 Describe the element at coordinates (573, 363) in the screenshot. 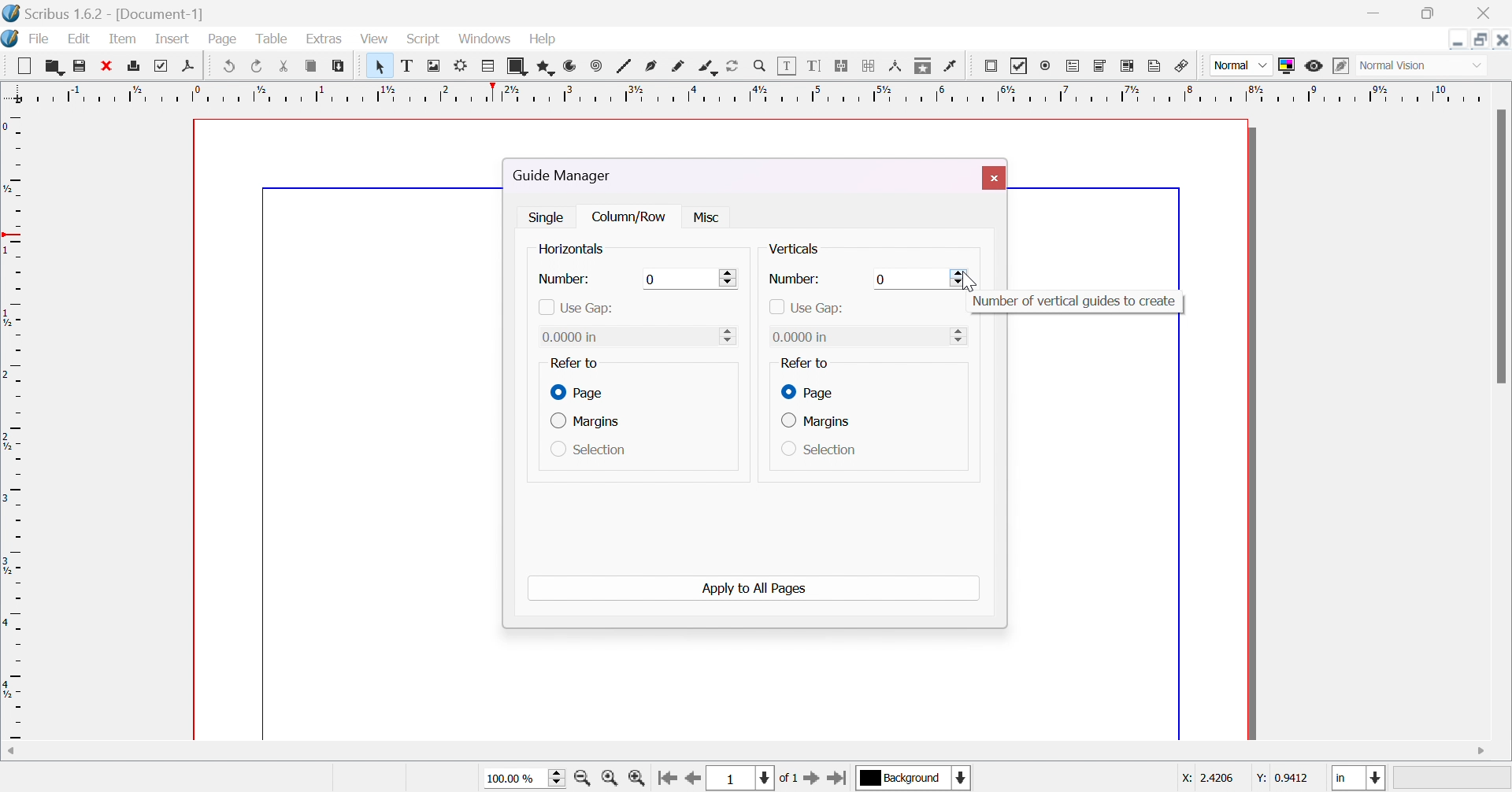

I see `refer to` at that location.